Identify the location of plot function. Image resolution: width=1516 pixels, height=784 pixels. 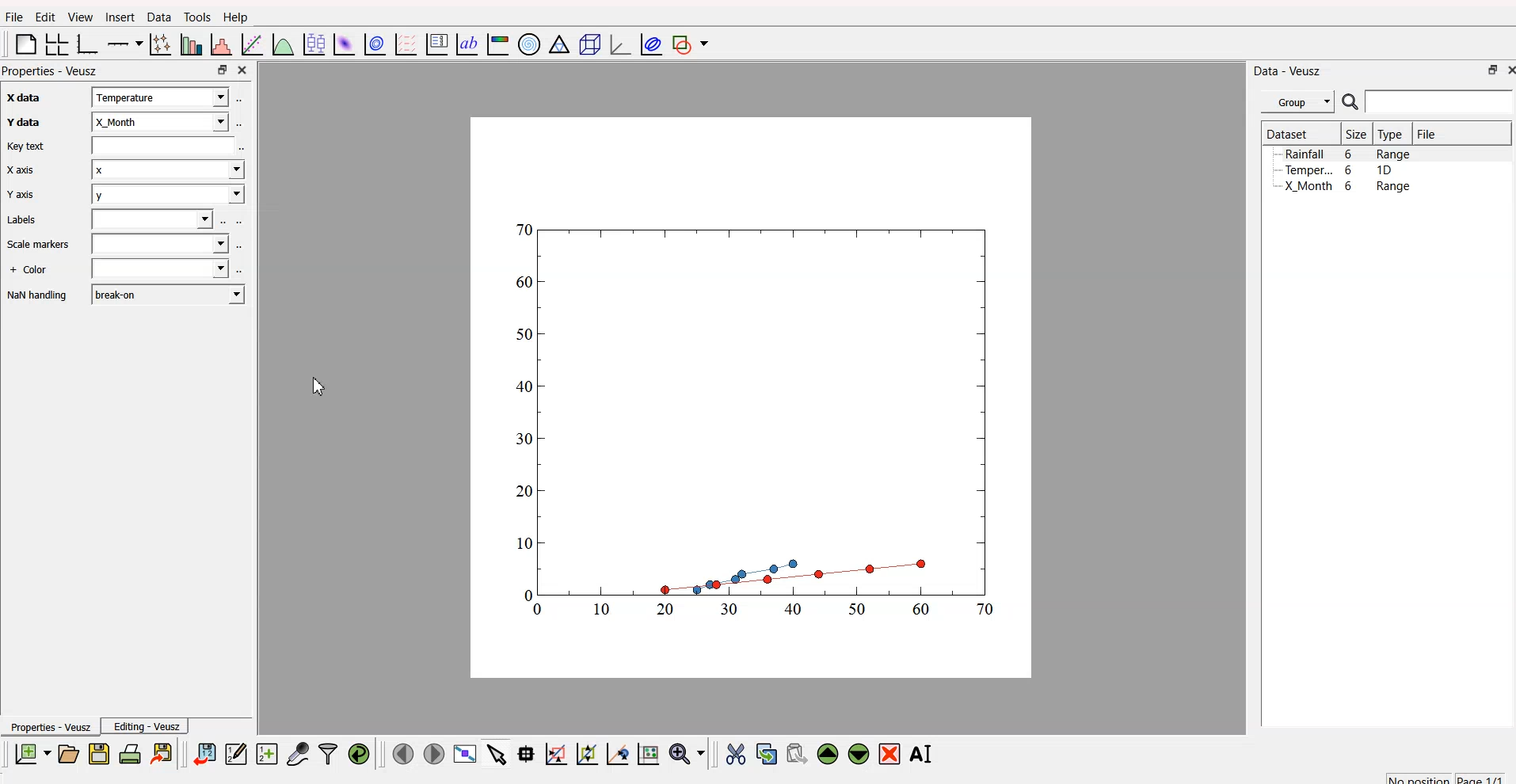
(283, 45).